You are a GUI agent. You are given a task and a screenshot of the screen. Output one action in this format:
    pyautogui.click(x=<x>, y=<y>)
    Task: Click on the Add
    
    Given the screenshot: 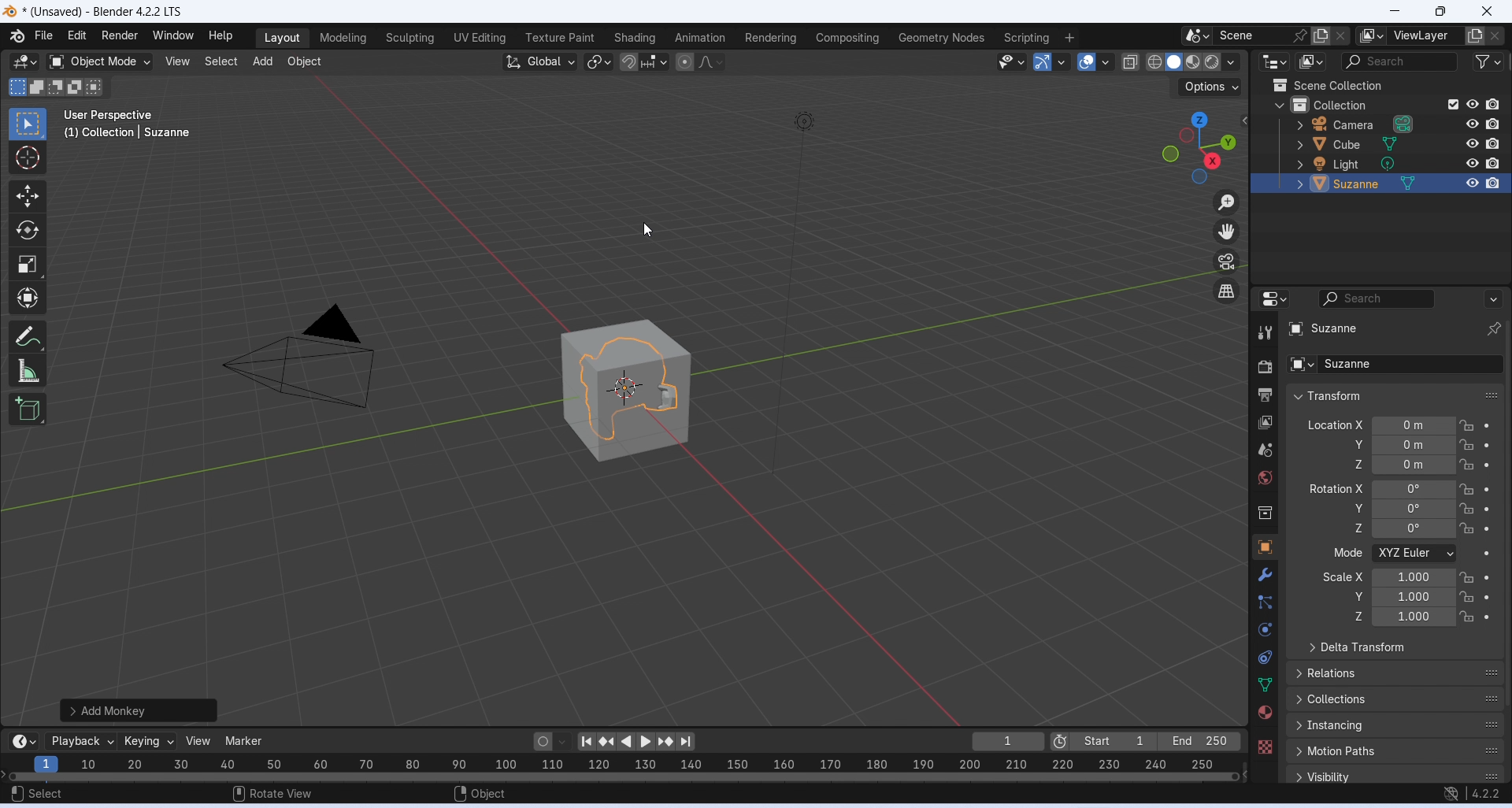 What is the action you would take?
    pyautogui.click(x=261, y=63)
    